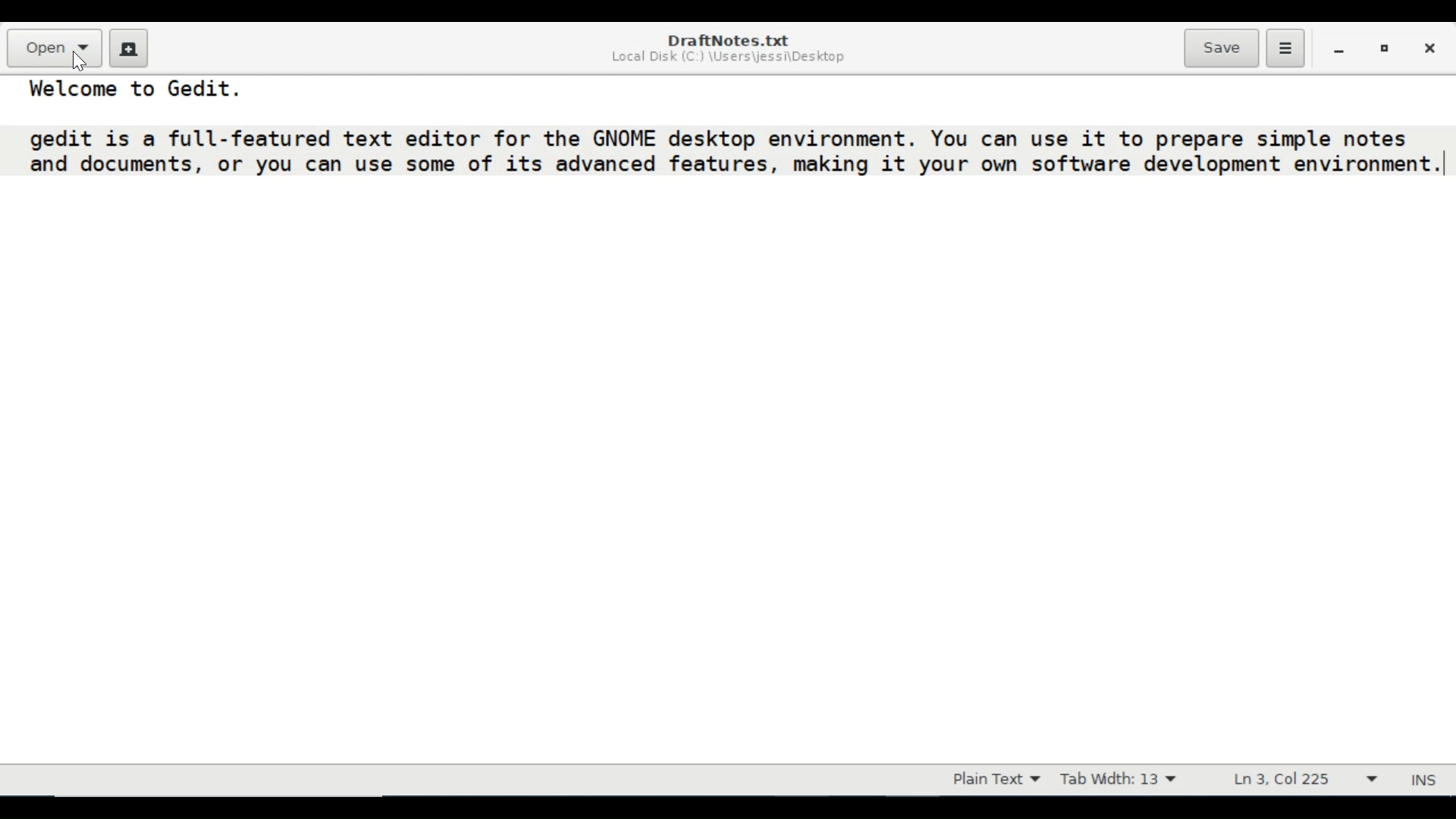 This screenshot has width=1456, height=819. What do you see at coordinates (129, 48) in the screenshot?
I see `Create New` at bounding box center [129, 48].